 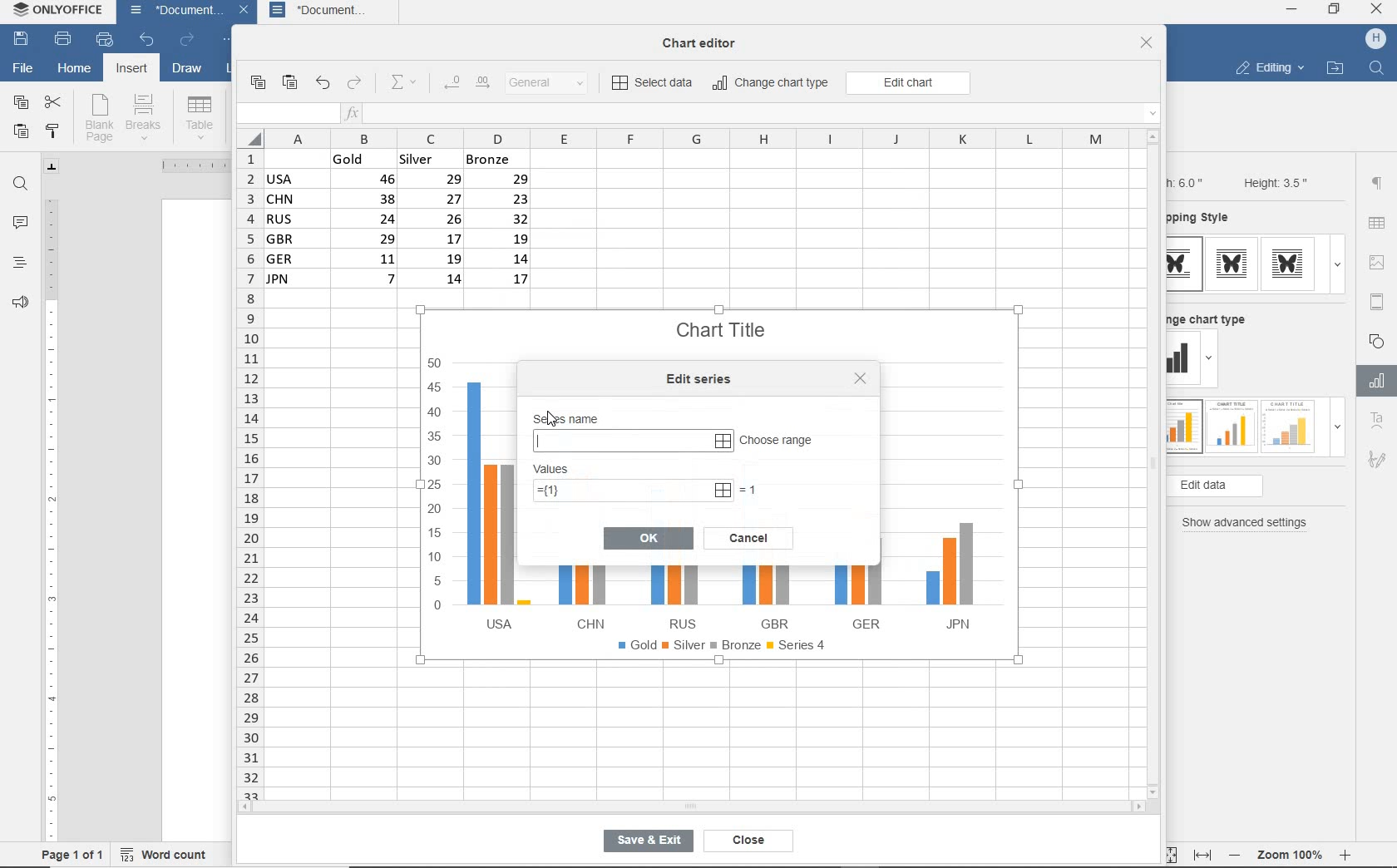 What do you see at coordinates (52, 166) in the screenshot?
I see `tab stop` at bounding box center [52, 166].